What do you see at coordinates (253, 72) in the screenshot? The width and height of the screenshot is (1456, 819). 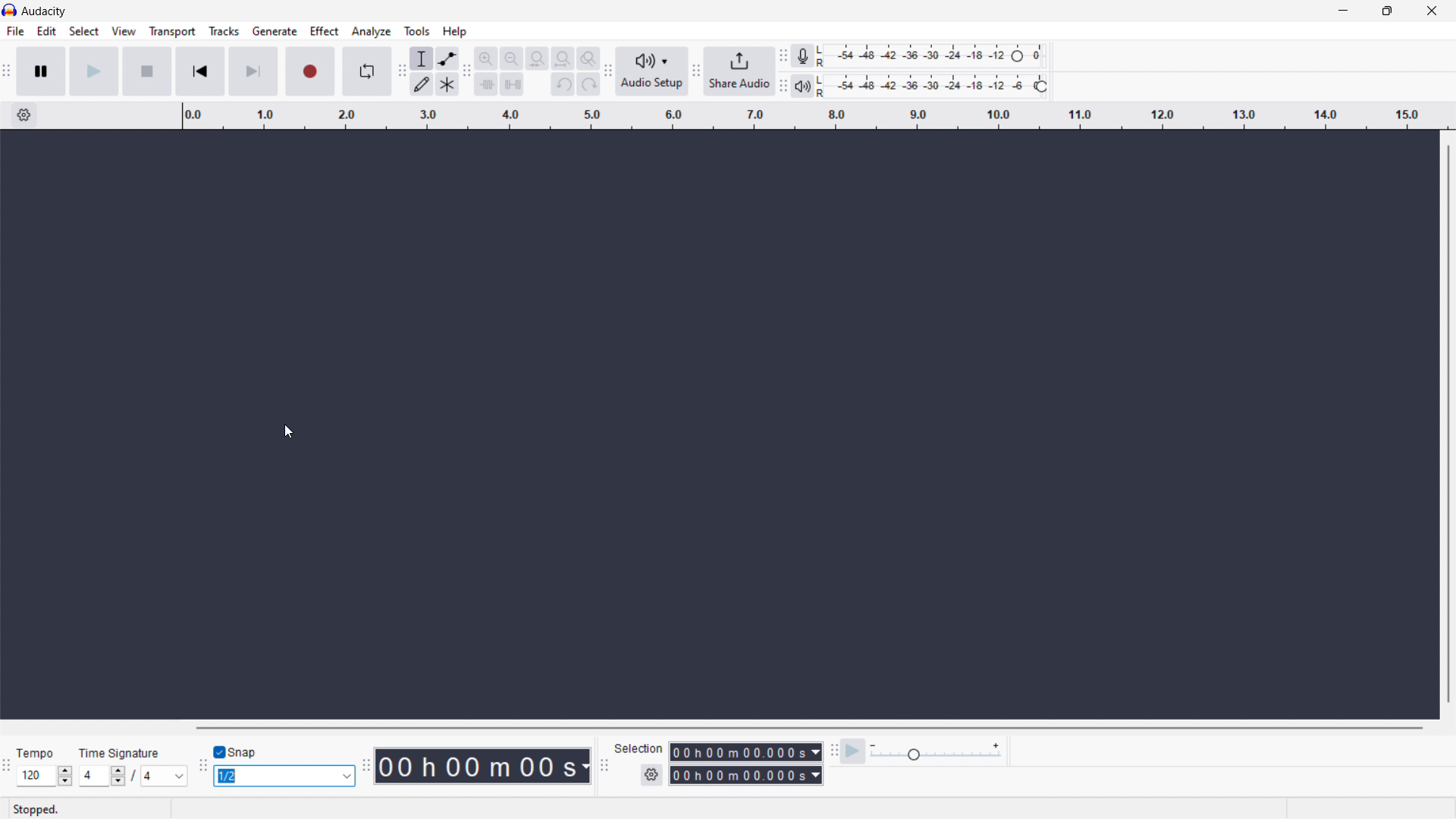 I see `skip to end` at bounding box center [253, 72].